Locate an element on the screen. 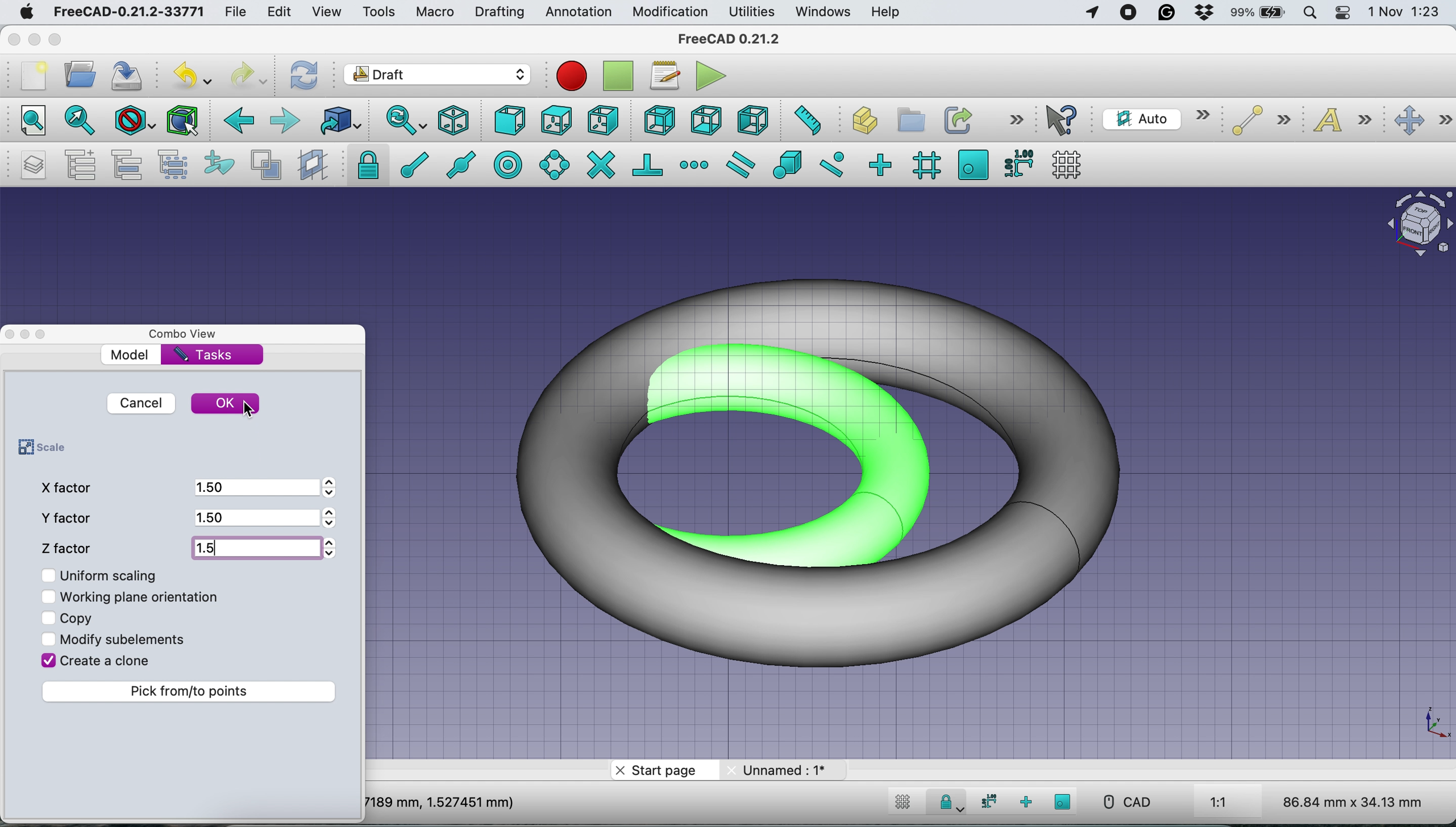  snap special is located at coordinates (788, 165).